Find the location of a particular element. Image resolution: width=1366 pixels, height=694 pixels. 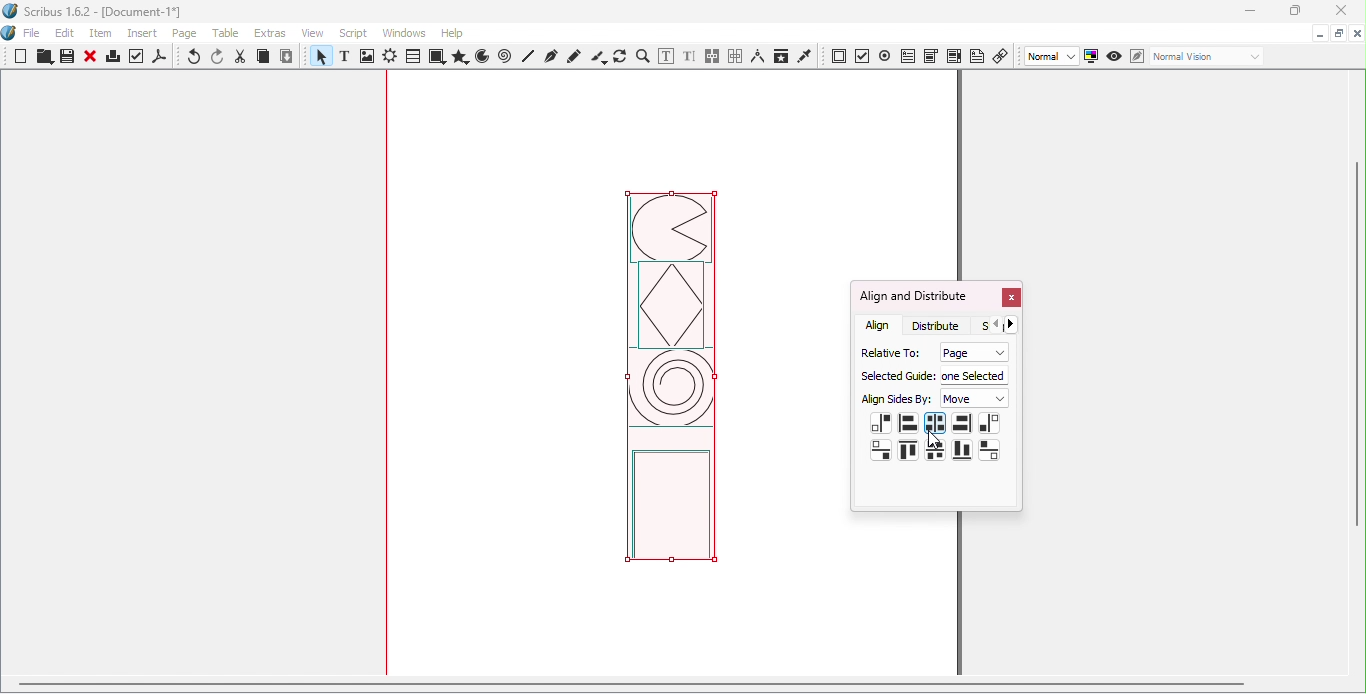

Close document is located at coordinates (1357, 34).